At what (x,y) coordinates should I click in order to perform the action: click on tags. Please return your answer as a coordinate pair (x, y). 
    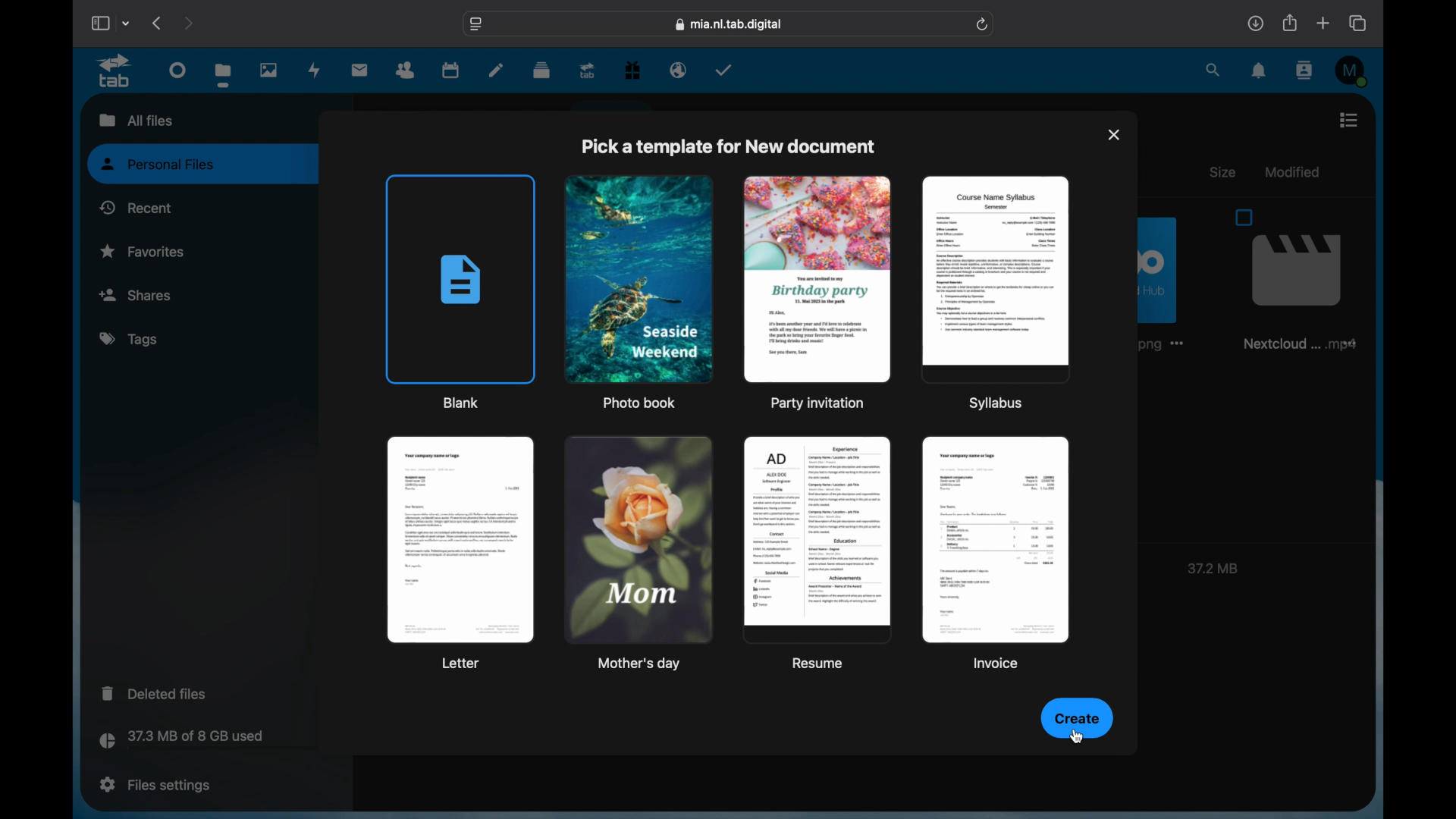
    Looking at the image, I should click on (130, 340).